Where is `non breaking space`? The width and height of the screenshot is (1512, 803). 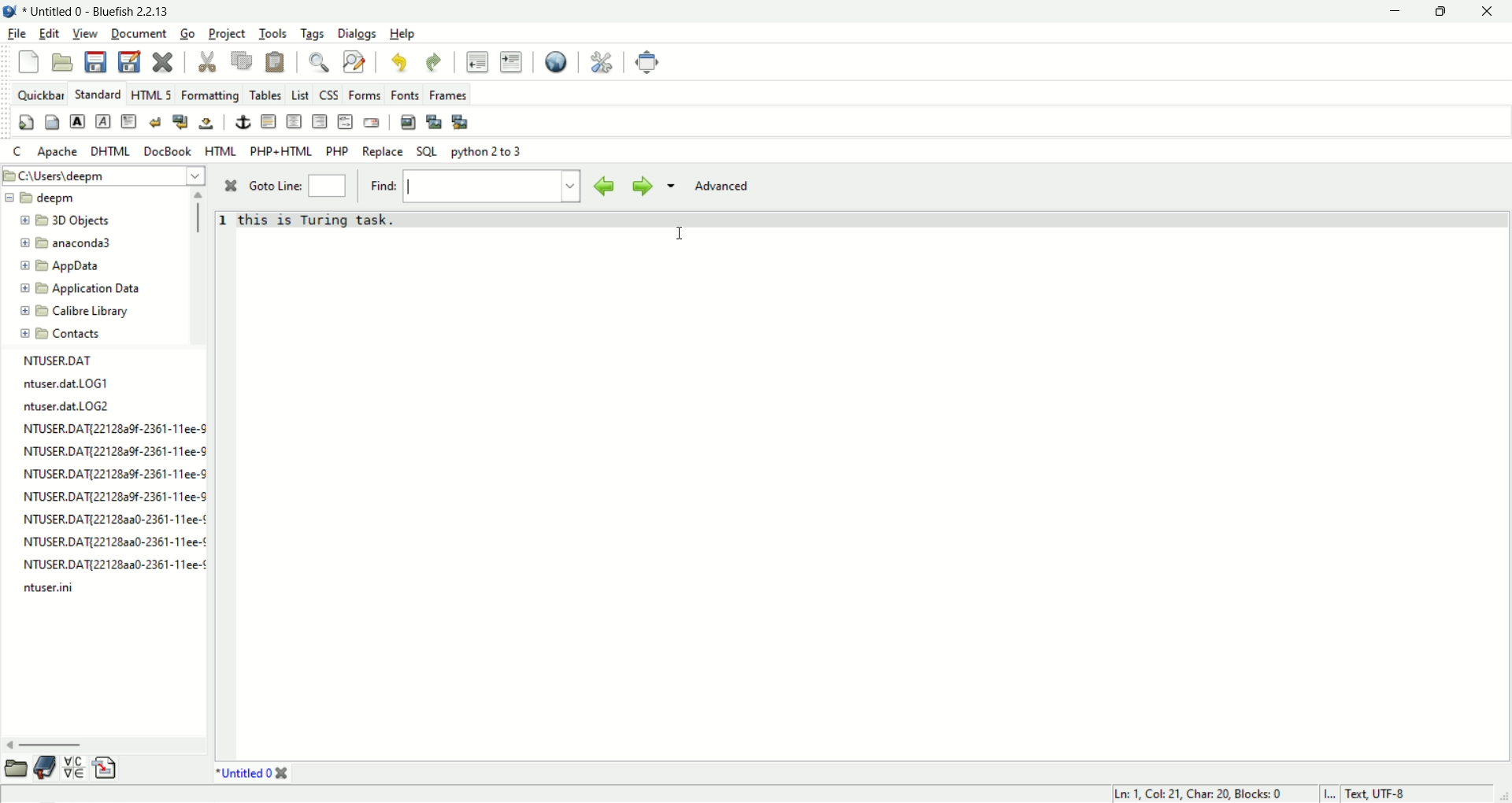 non breaking space is located at coordinates (207, 124).